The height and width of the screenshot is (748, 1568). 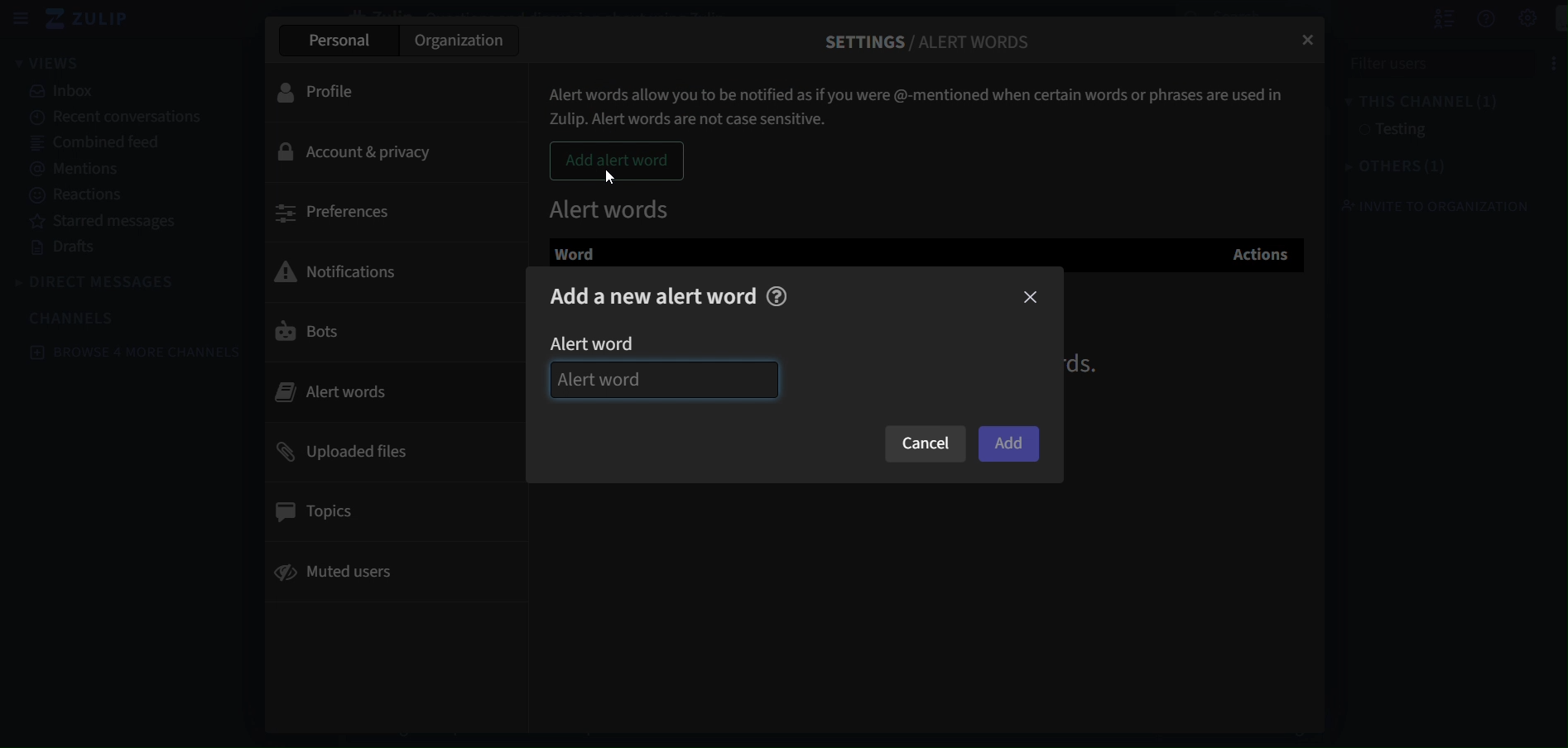 I want to click on filter users, so click(x=1417, y=63).